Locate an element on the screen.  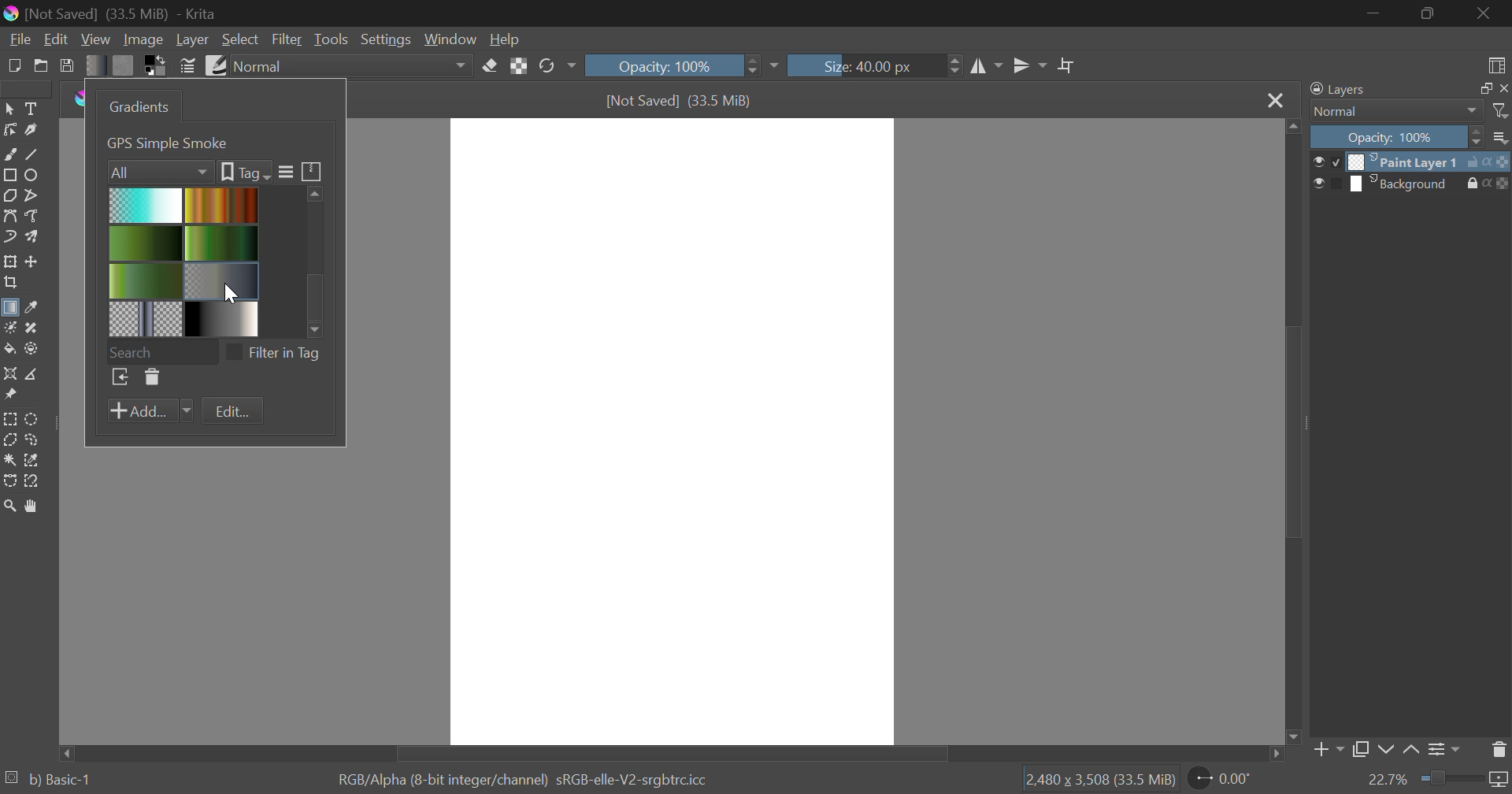
12,480 x 3,508 (33.5 MiB) is located at coordinates (1099, 779).